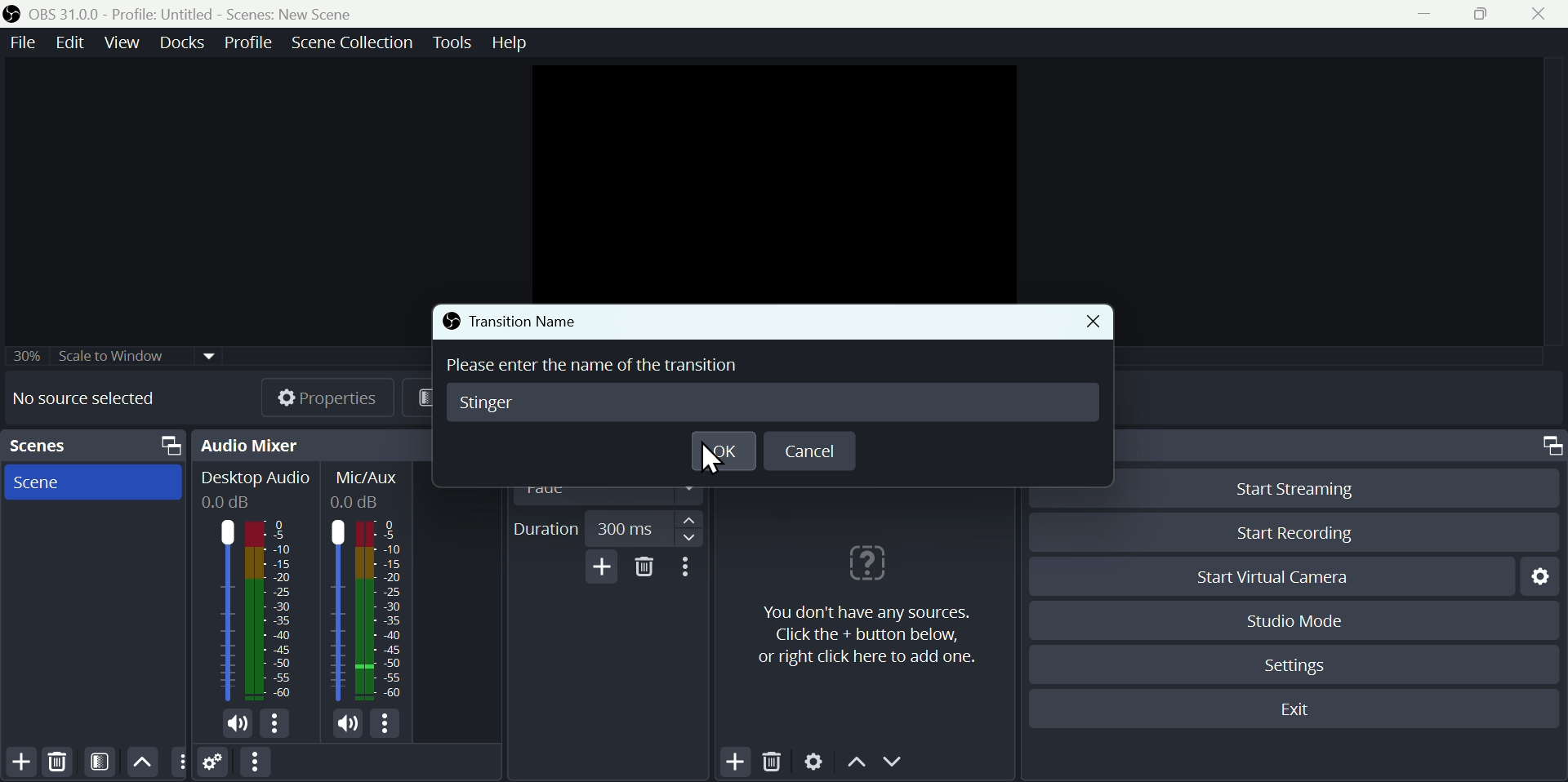  Describe the element at coordinates (20, 42) in the screenshot. I see `` at that location.